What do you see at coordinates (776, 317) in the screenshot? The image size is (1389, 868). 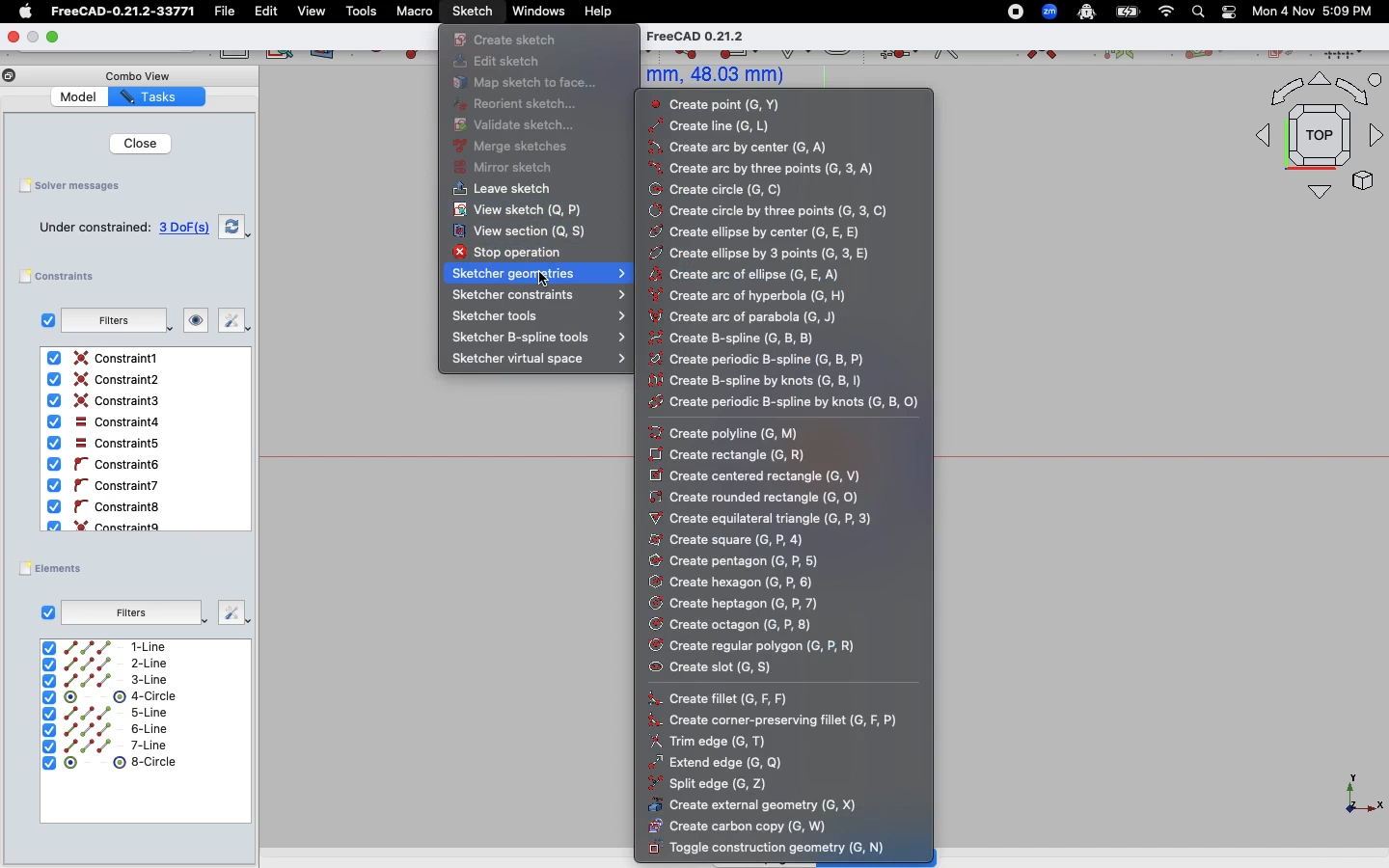 I see `Create arc of parabola` at bounding box center [776, 317].